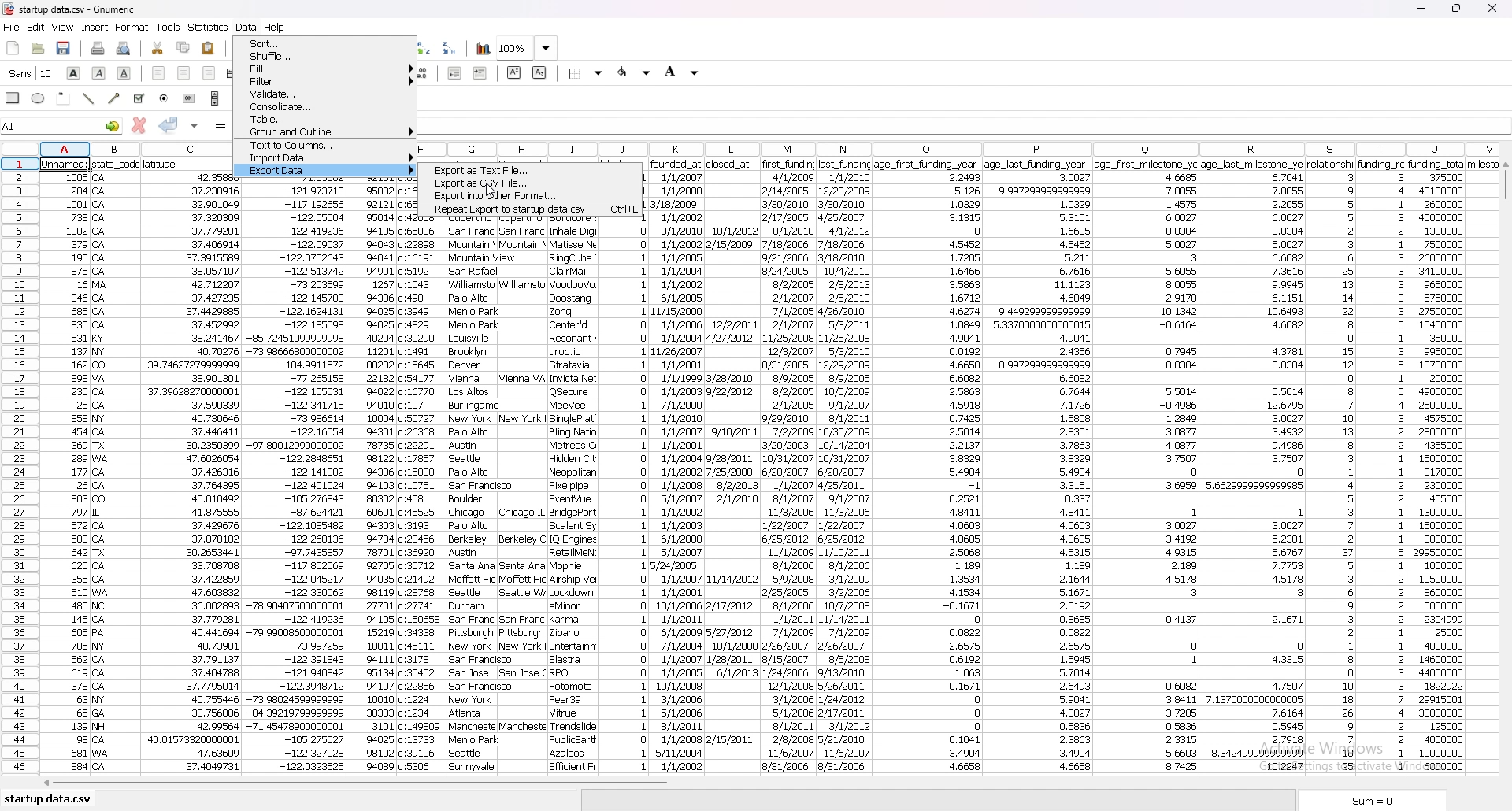 Image resolution: width=1512 pixels, height=811 pixels. I want to click on file, so click(12, 28).